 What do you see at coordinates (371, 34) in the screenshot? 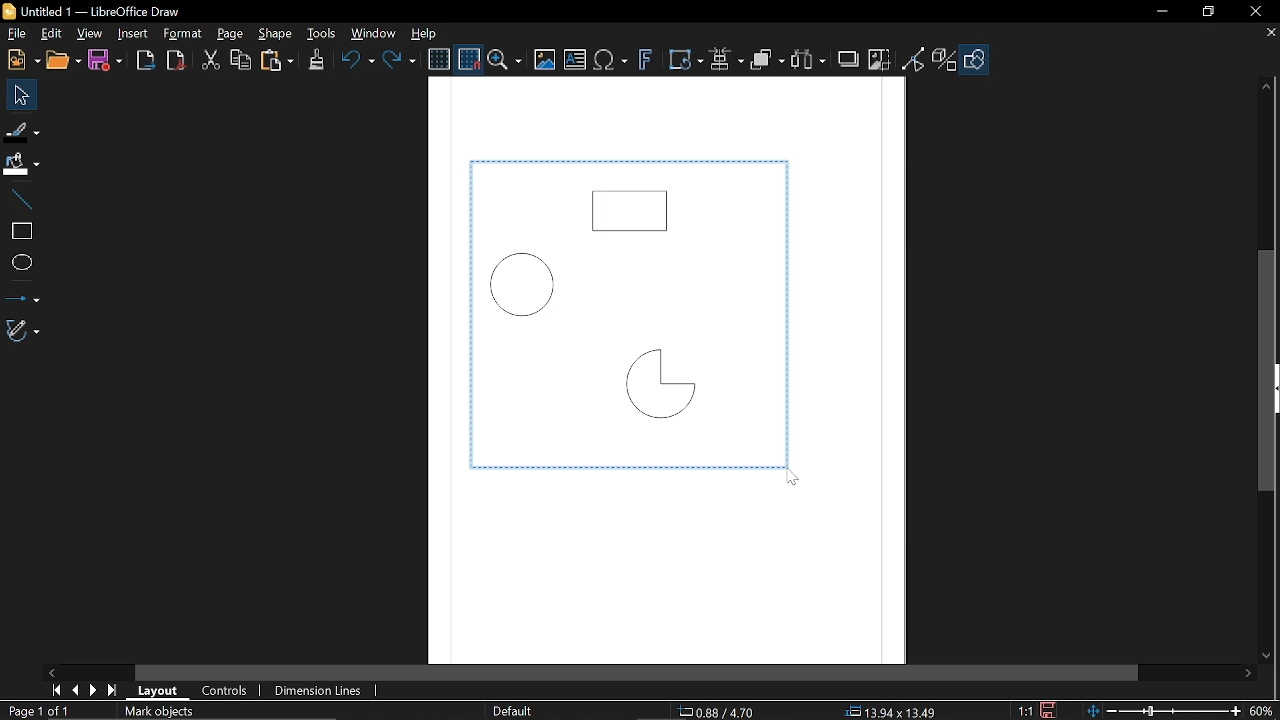
I see `Window` at bounding box center [371, 34].